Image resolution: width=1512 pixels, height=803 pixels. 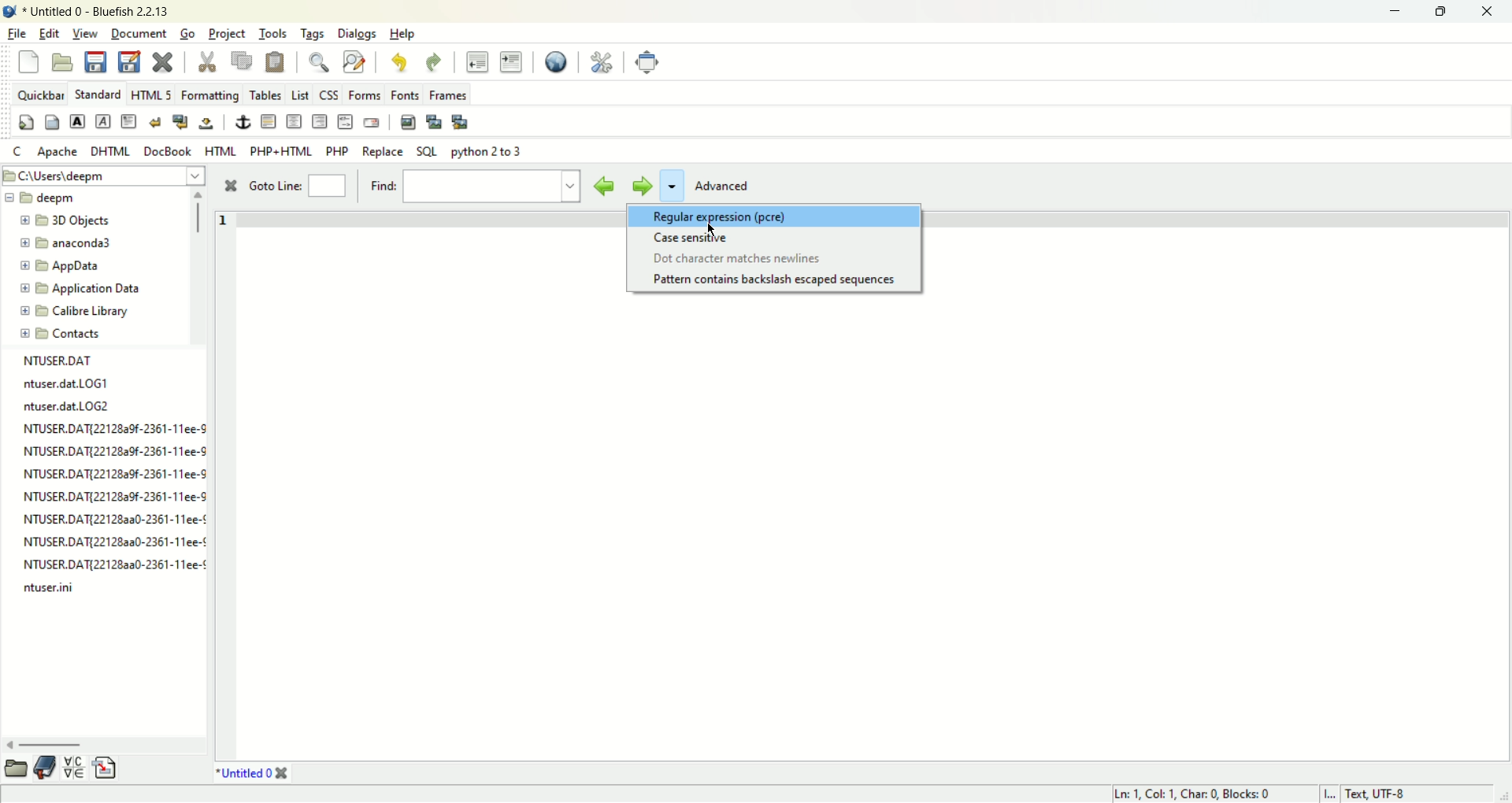 I want to click on *Untitled 0, so click(x=253, y=773).